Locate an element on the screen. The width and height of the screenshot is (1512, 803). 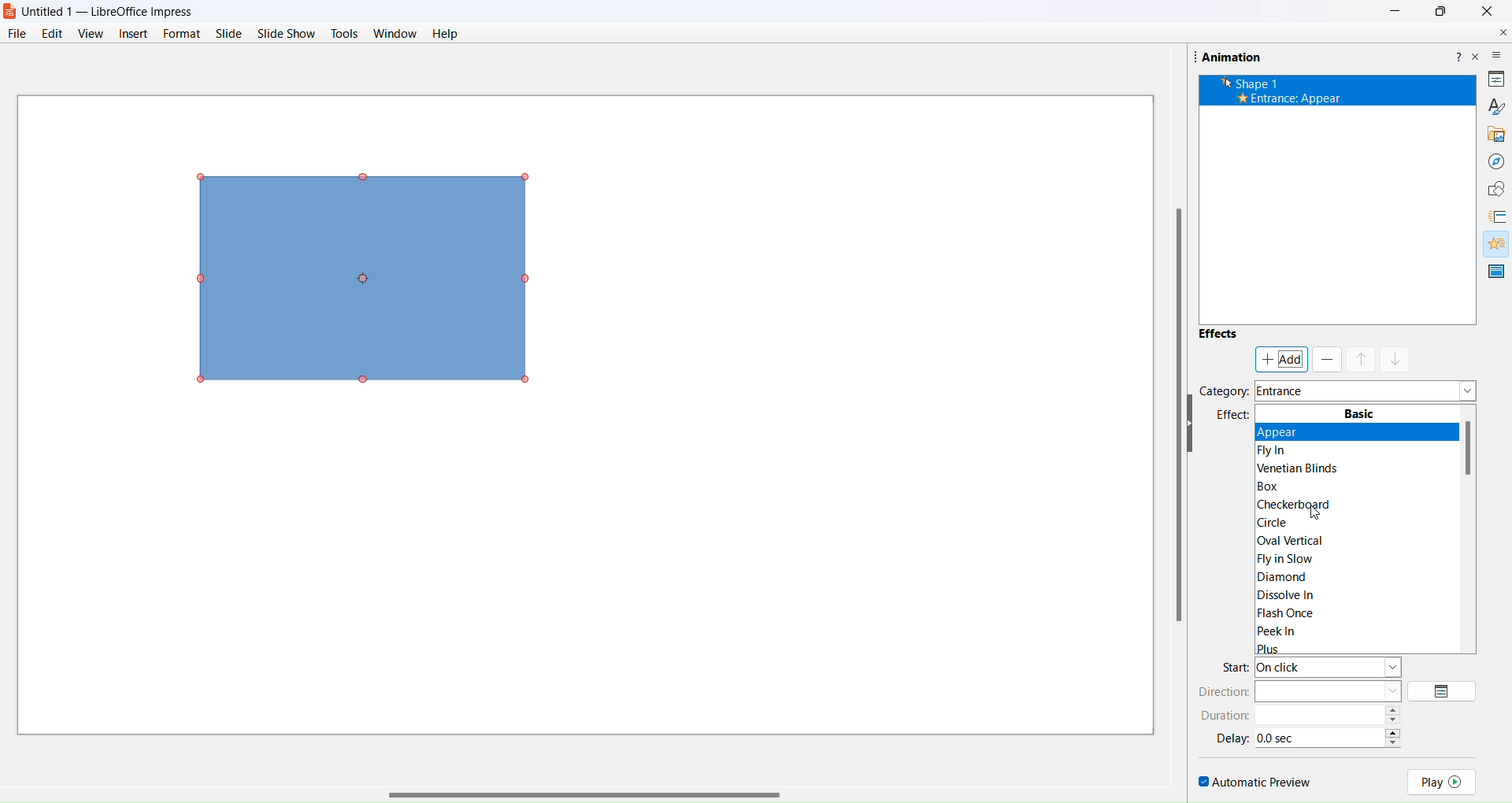
Diamond is located at coordinates (1293, 575).